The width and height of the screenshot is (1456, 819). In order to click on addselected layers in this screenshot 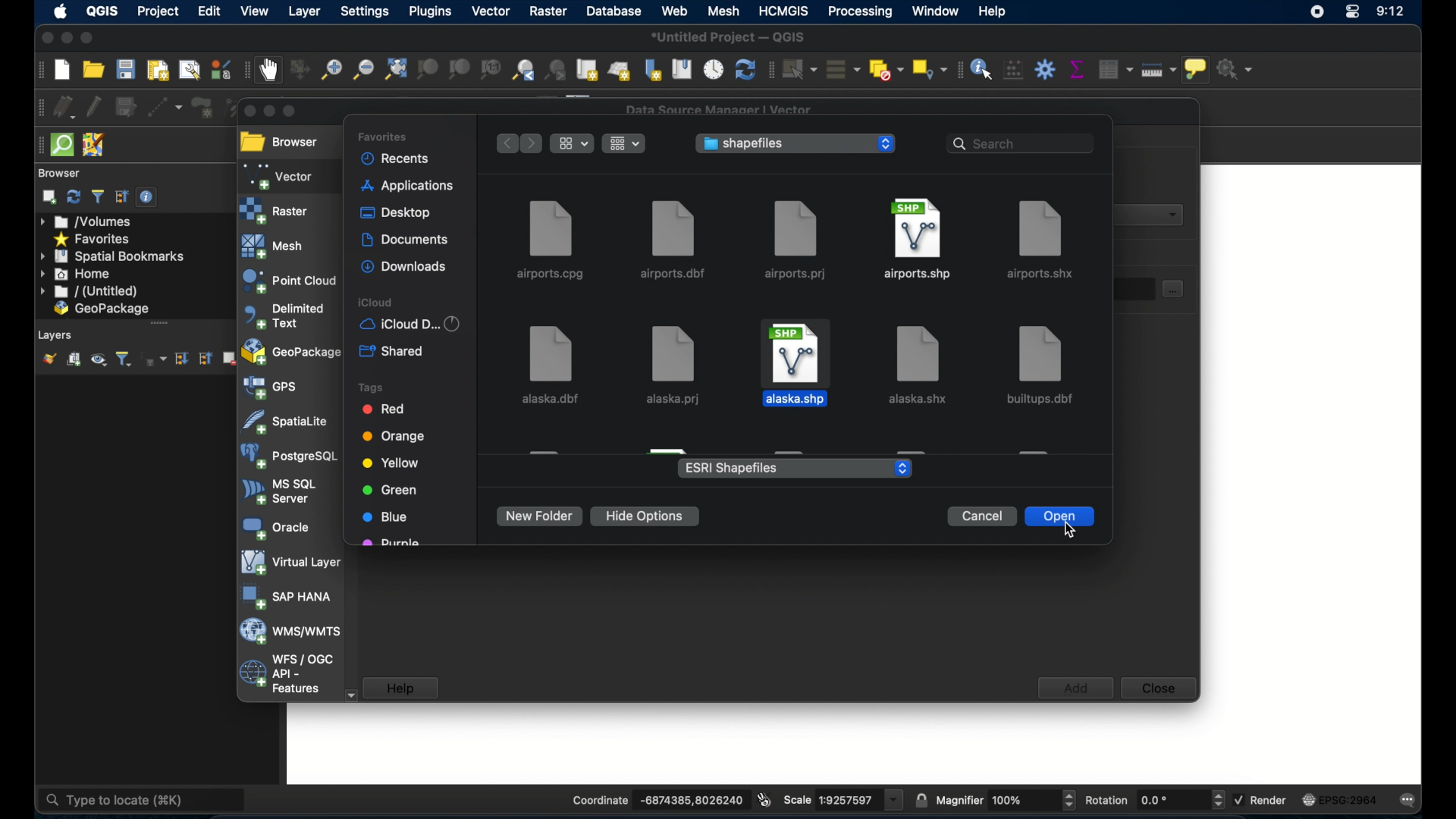, I will do `click(49, 197)`.